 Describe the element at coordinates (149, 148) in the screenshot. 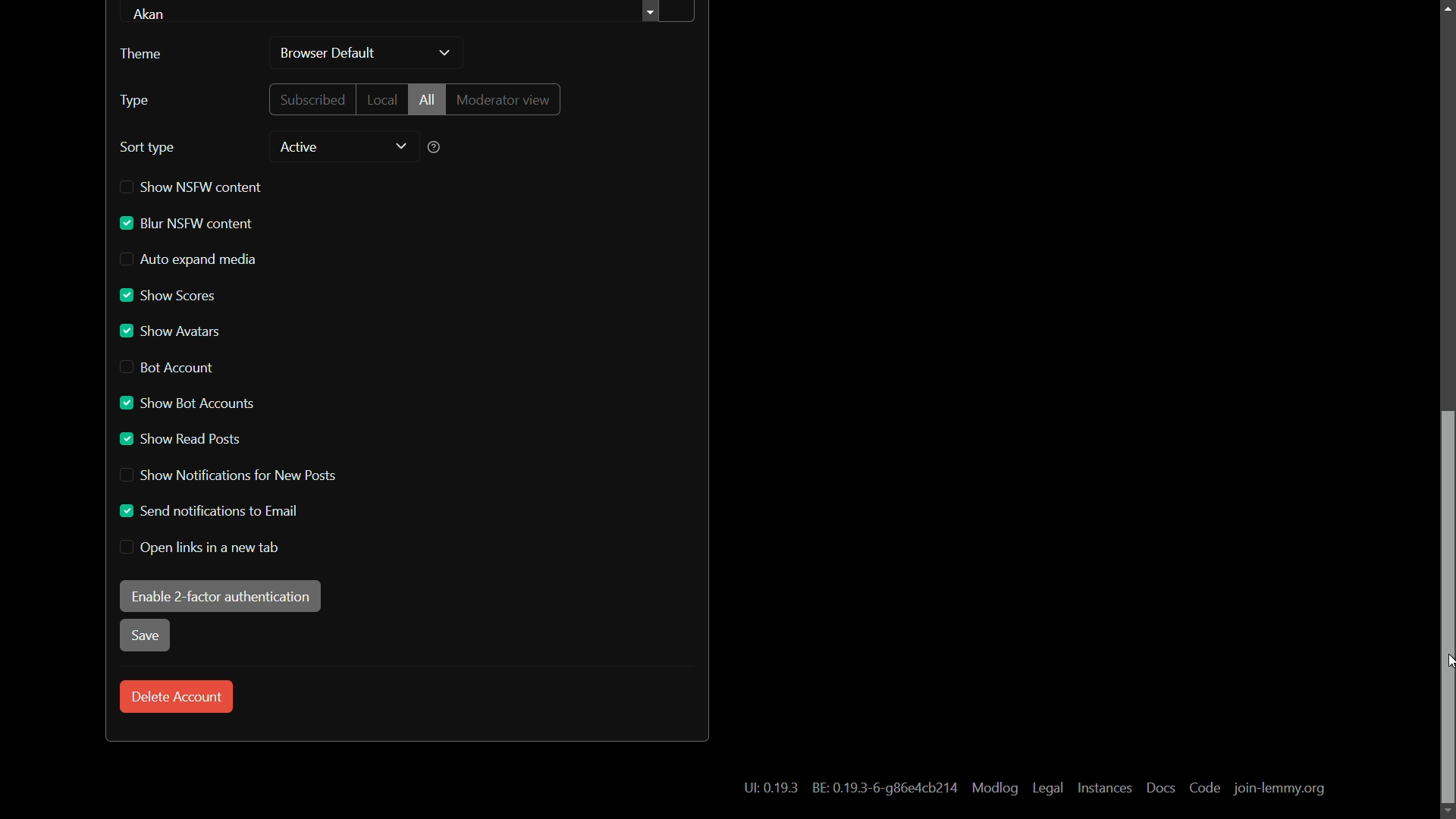

I see `sort type` at that location.